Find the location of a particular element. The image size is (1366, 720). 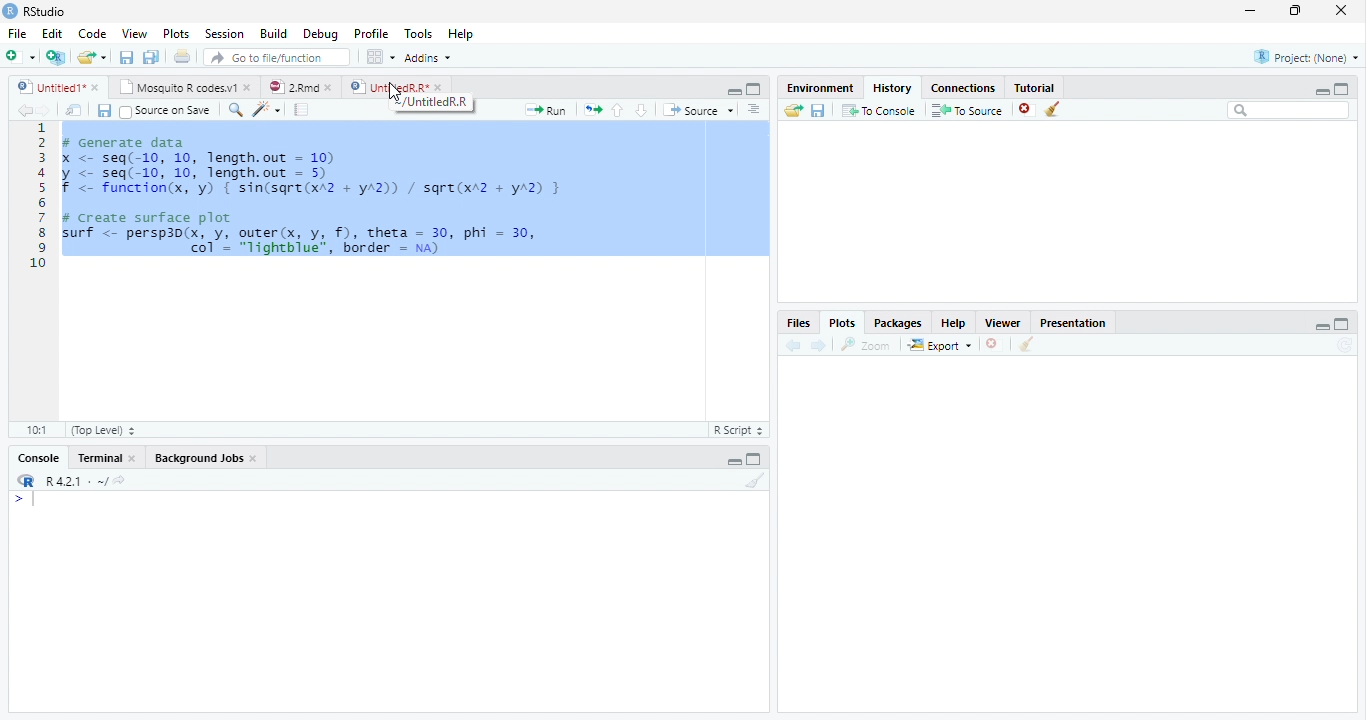

Clear all plots is located at coordinates (1026, 344).